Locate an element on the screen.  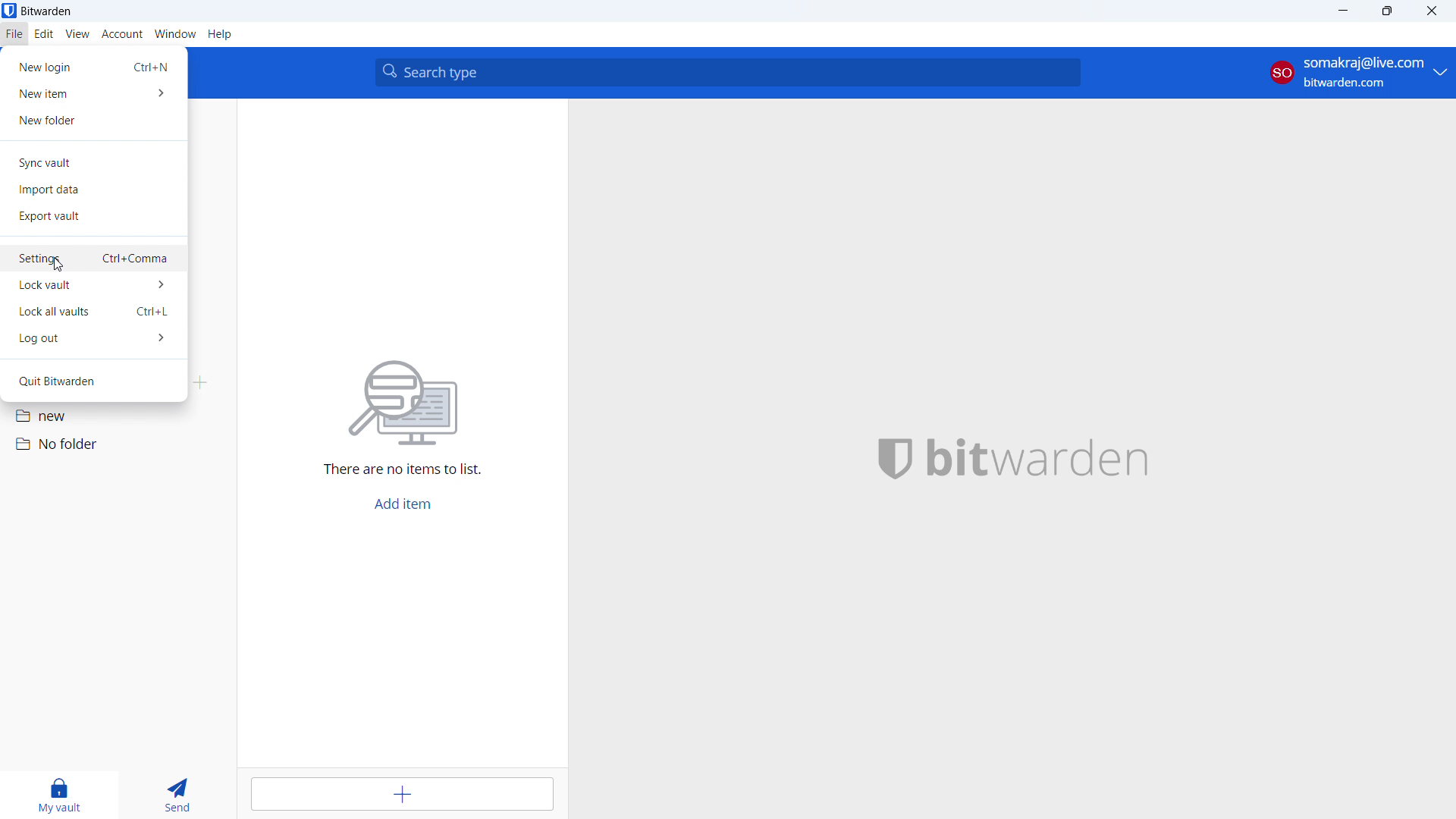
There are no items to list. is located at coordinates (404, 472).